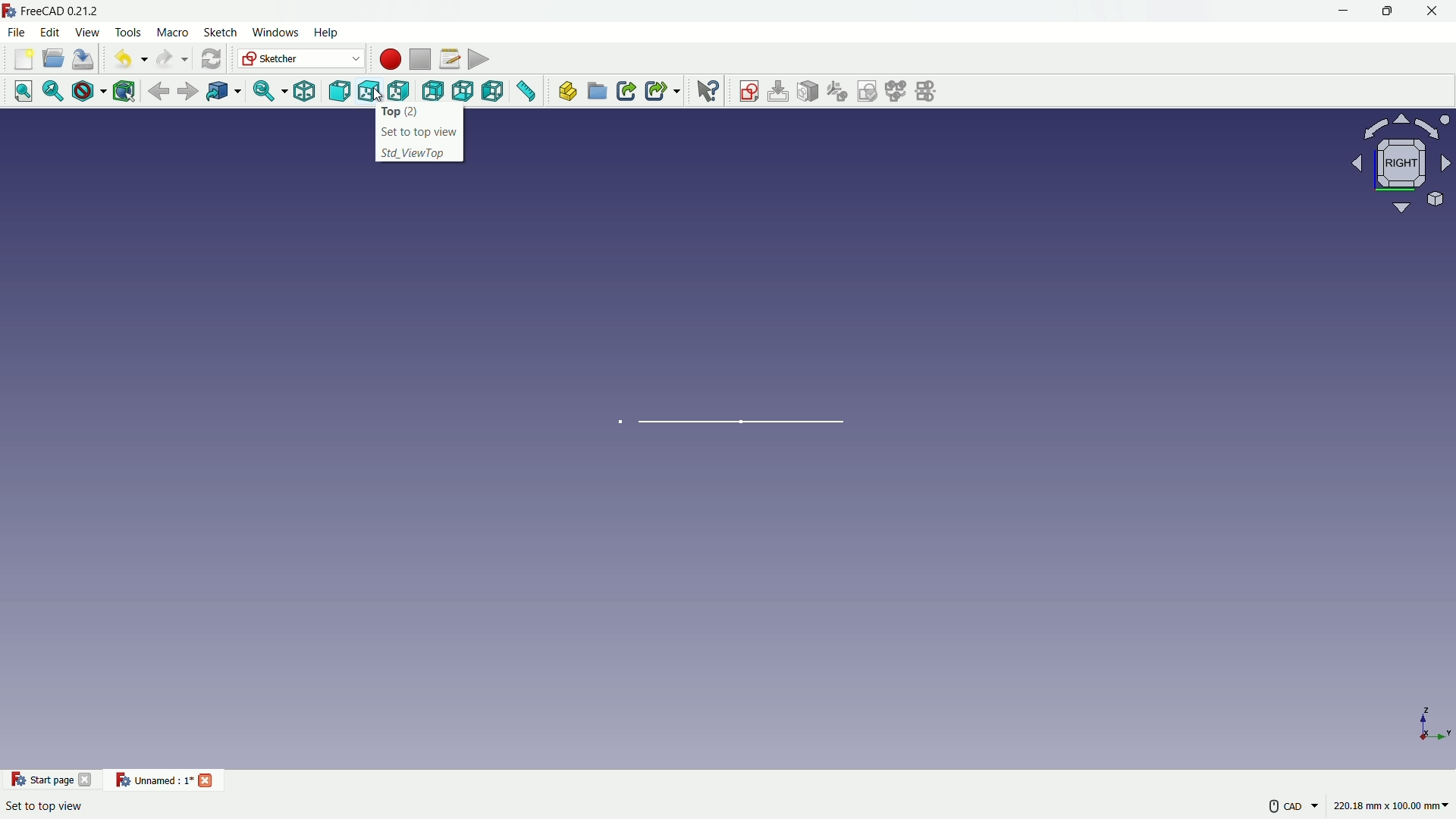 The width and height of the screenshot is (1456, 819). Describe the element at coordinates (465, 92) in the screenshot. I see `bottom view` at that location.